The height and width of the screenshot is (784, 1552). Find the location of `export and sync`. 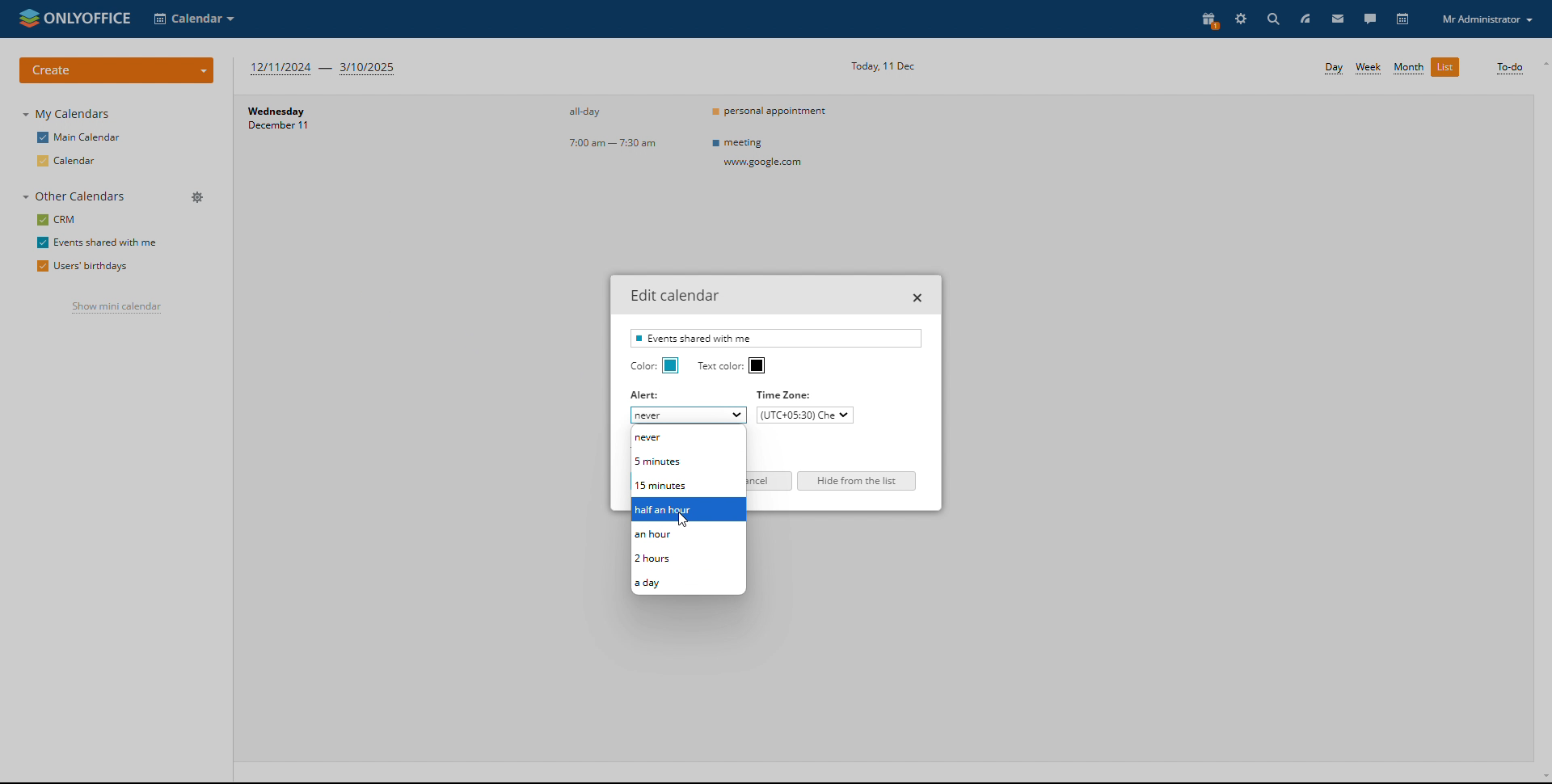

export and sync is located at coordinates (665, 442).